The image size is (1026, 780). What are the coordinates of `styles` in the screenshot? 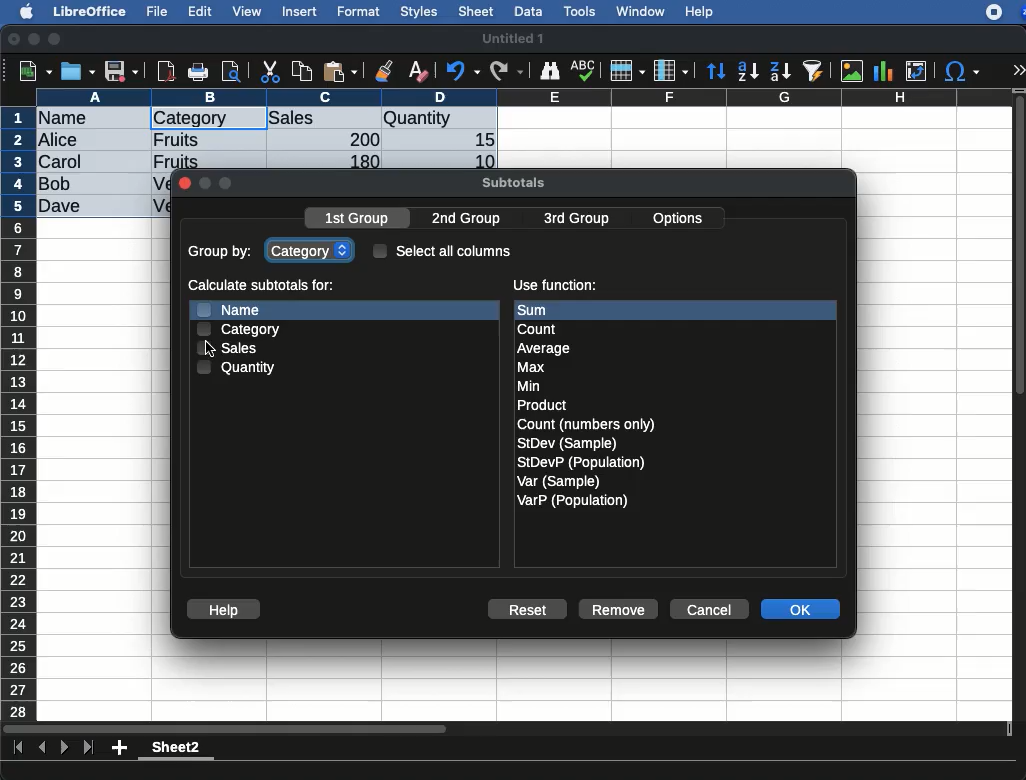 It's located at (417, 14).